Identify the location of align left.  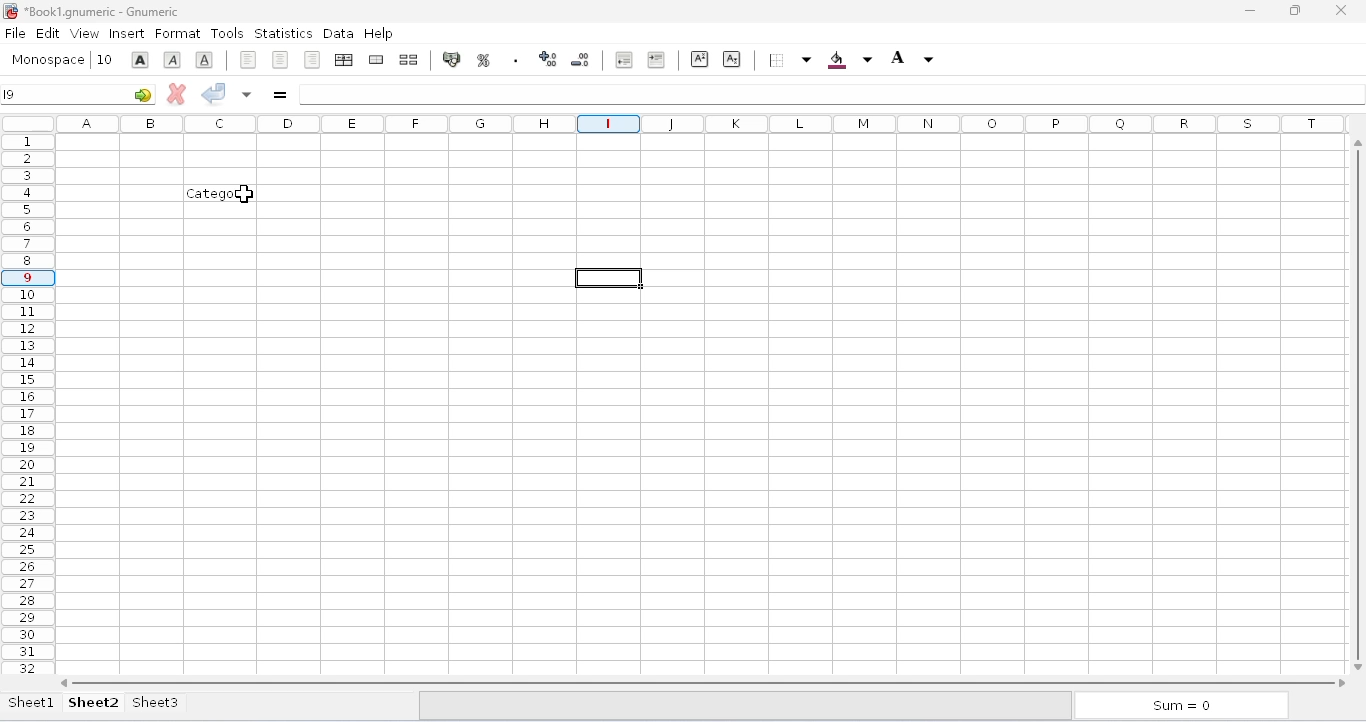
(248, 60).